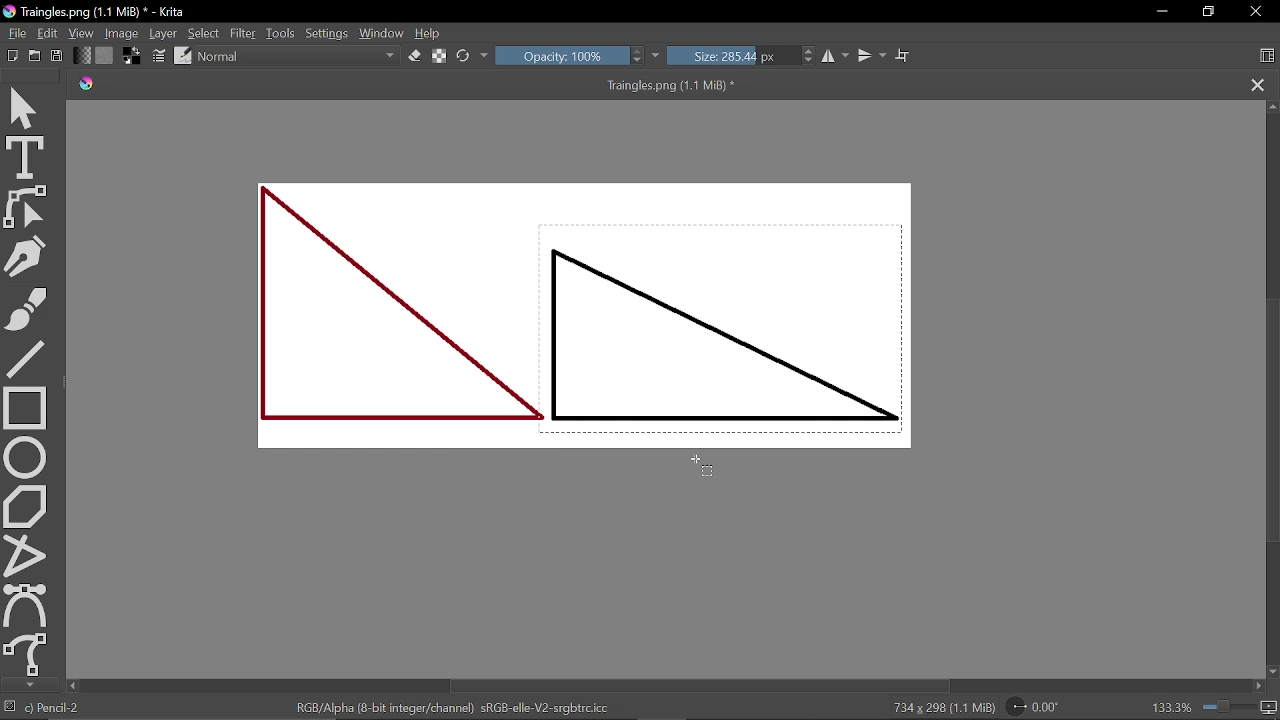  I want to click on Text tool, so click(26, 157).